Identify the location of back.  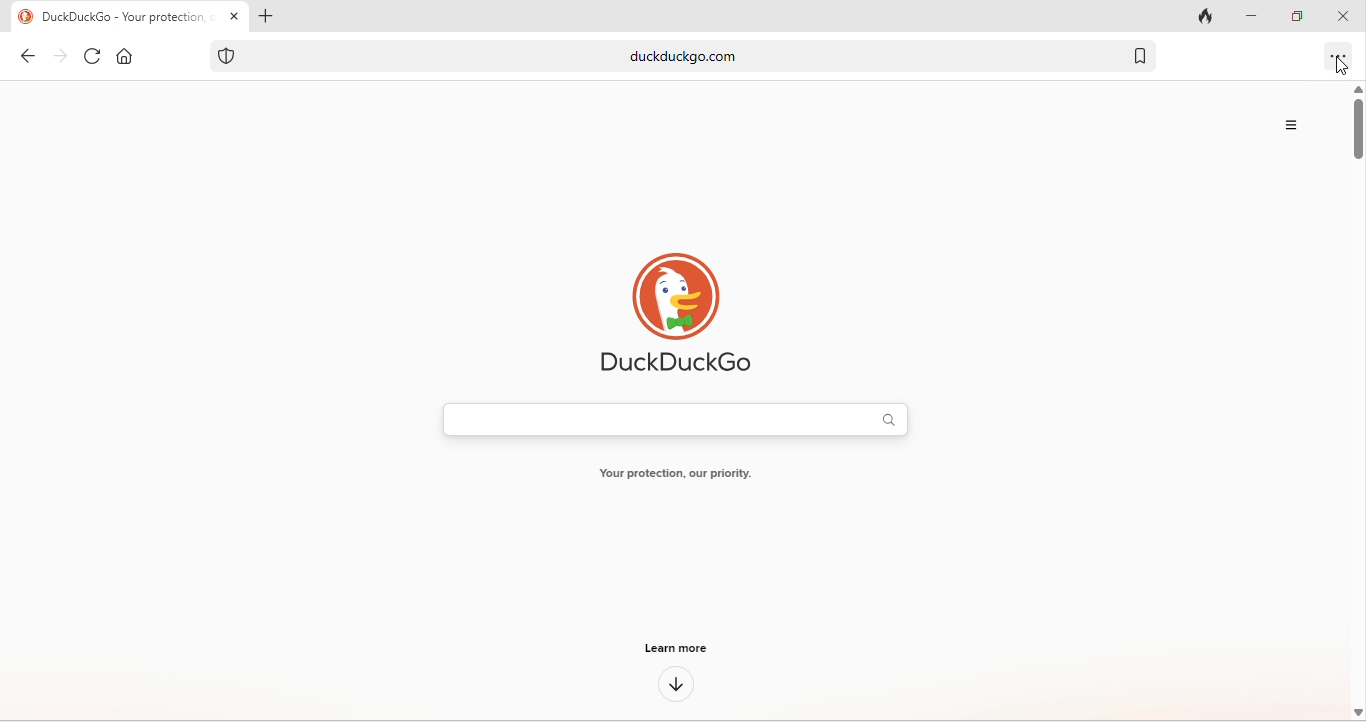
(27, 58).